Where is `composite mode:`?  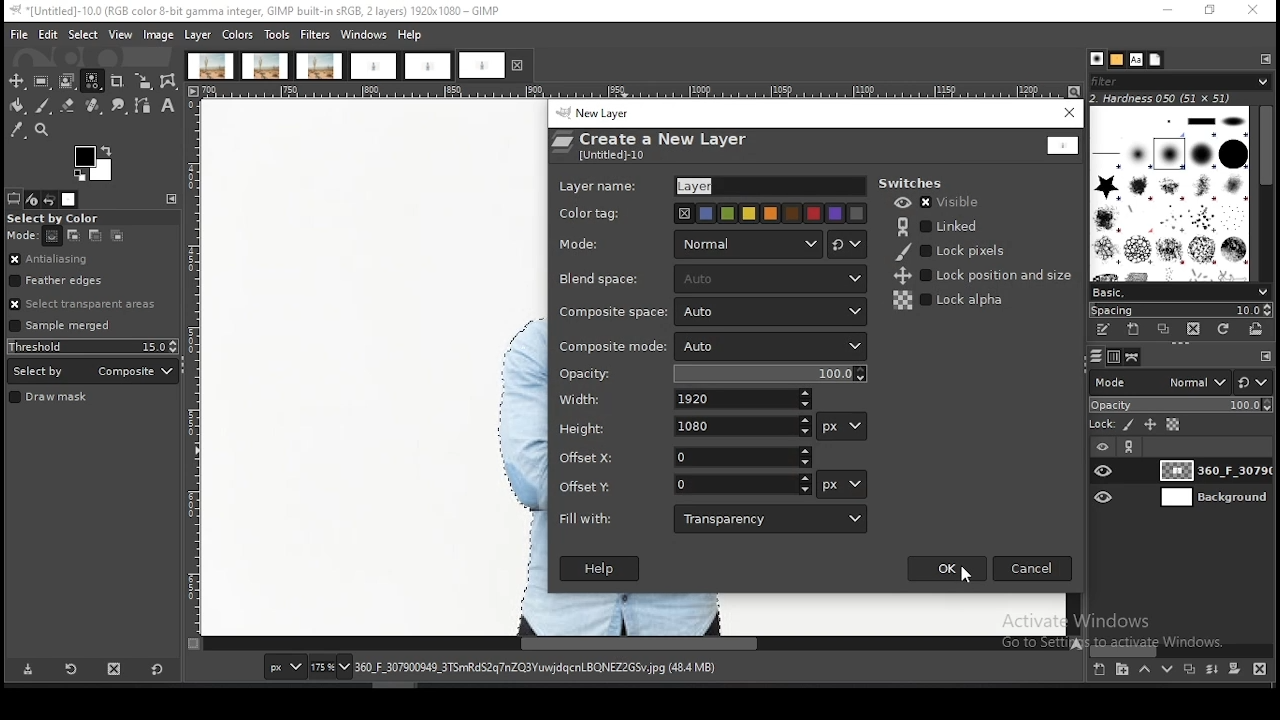 composite mode: is located at coordinates (613, 347).